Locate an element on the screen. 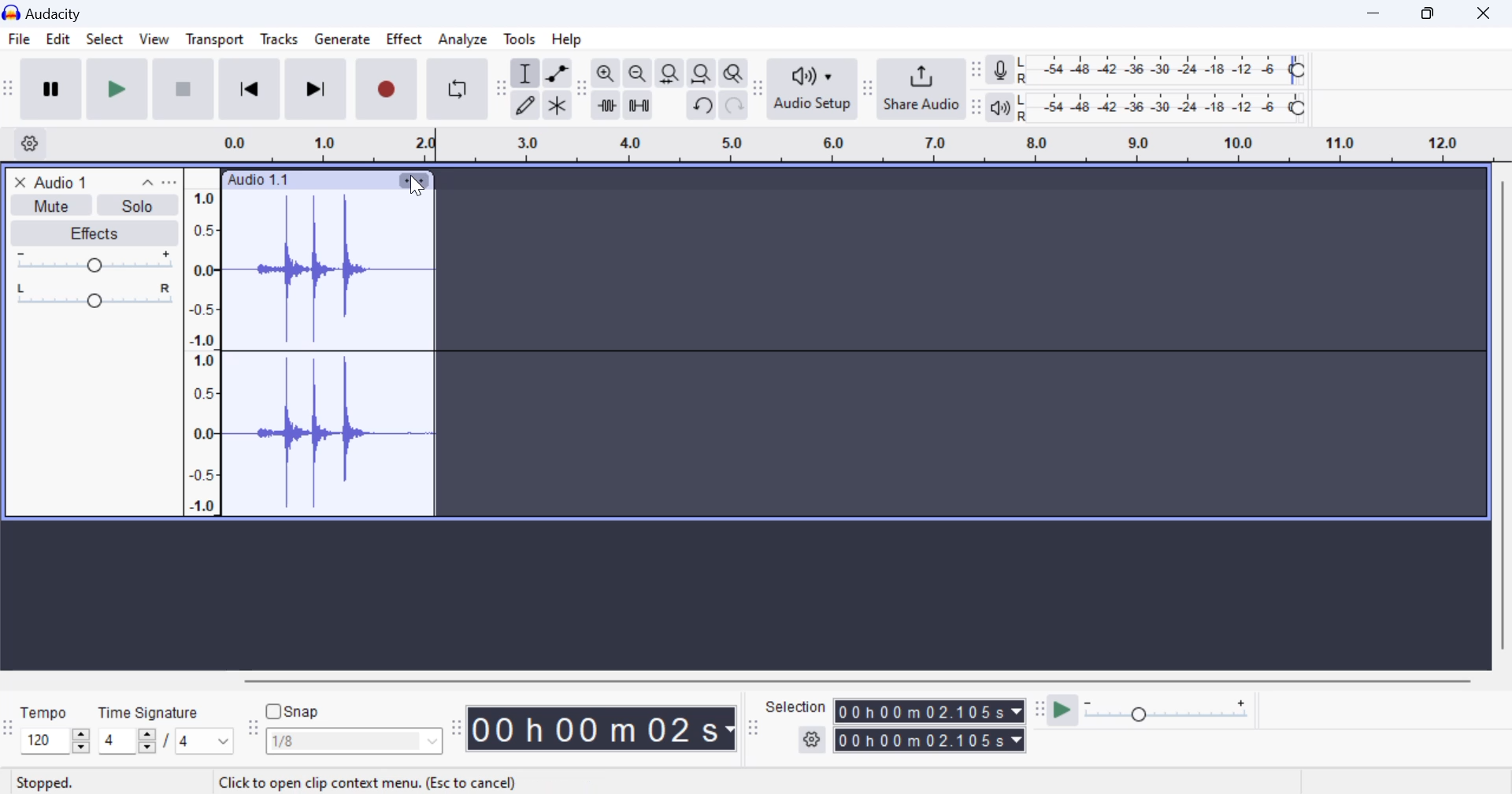 The height and width of the screenshot is (794, 1512). increase or decrease tempo is located at coordinates (54, 740).